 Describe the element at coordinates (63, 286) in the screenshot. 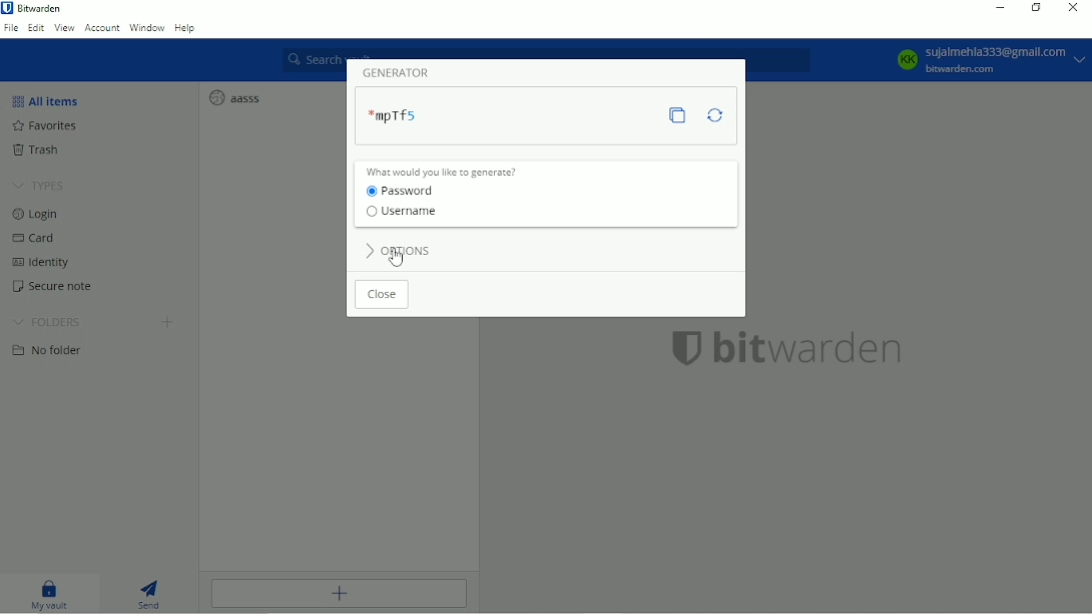

I see `Secure note` at that location.